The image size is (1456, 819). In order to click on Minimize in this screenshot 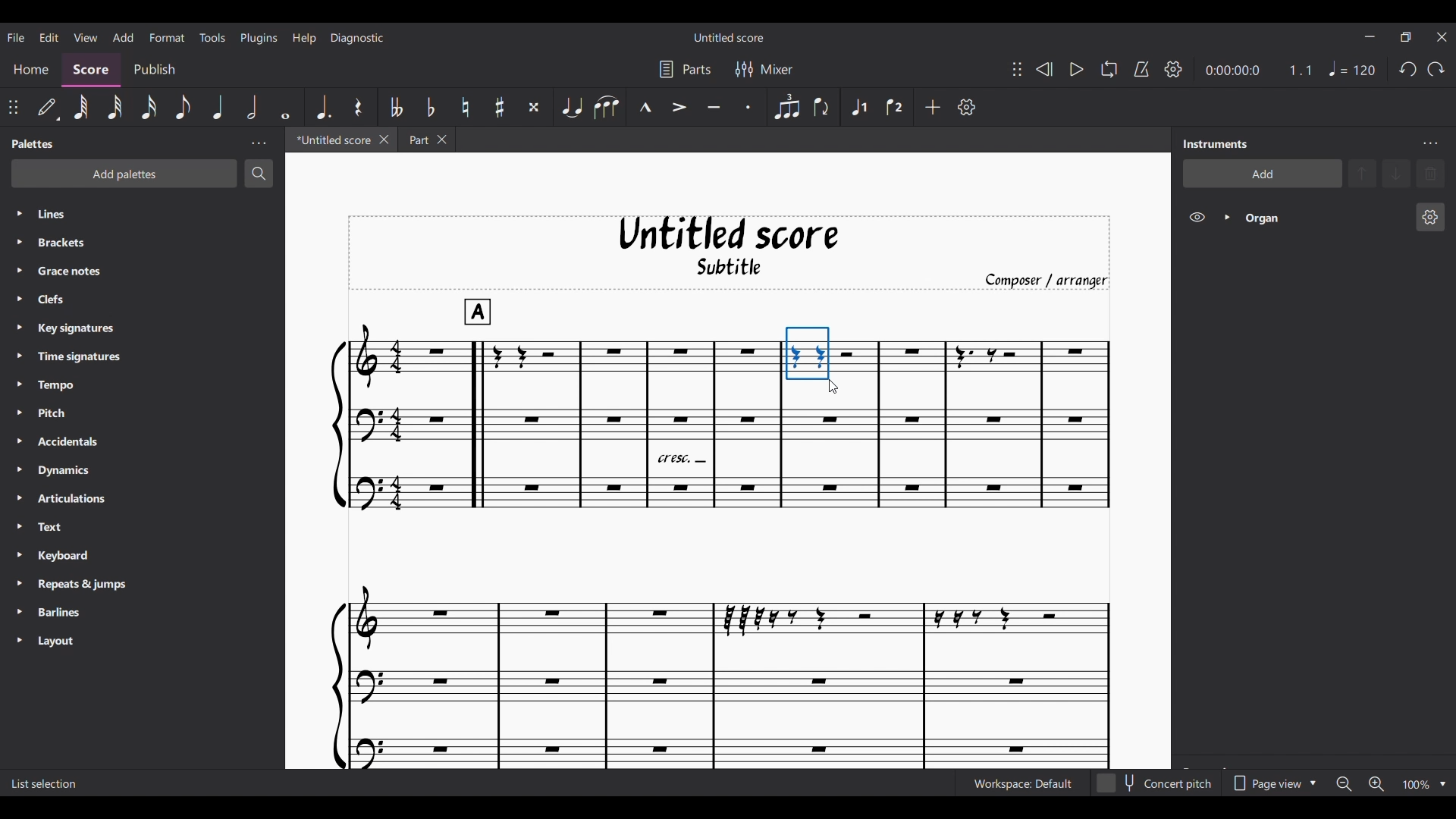, I will do `click(1370, 36)`.